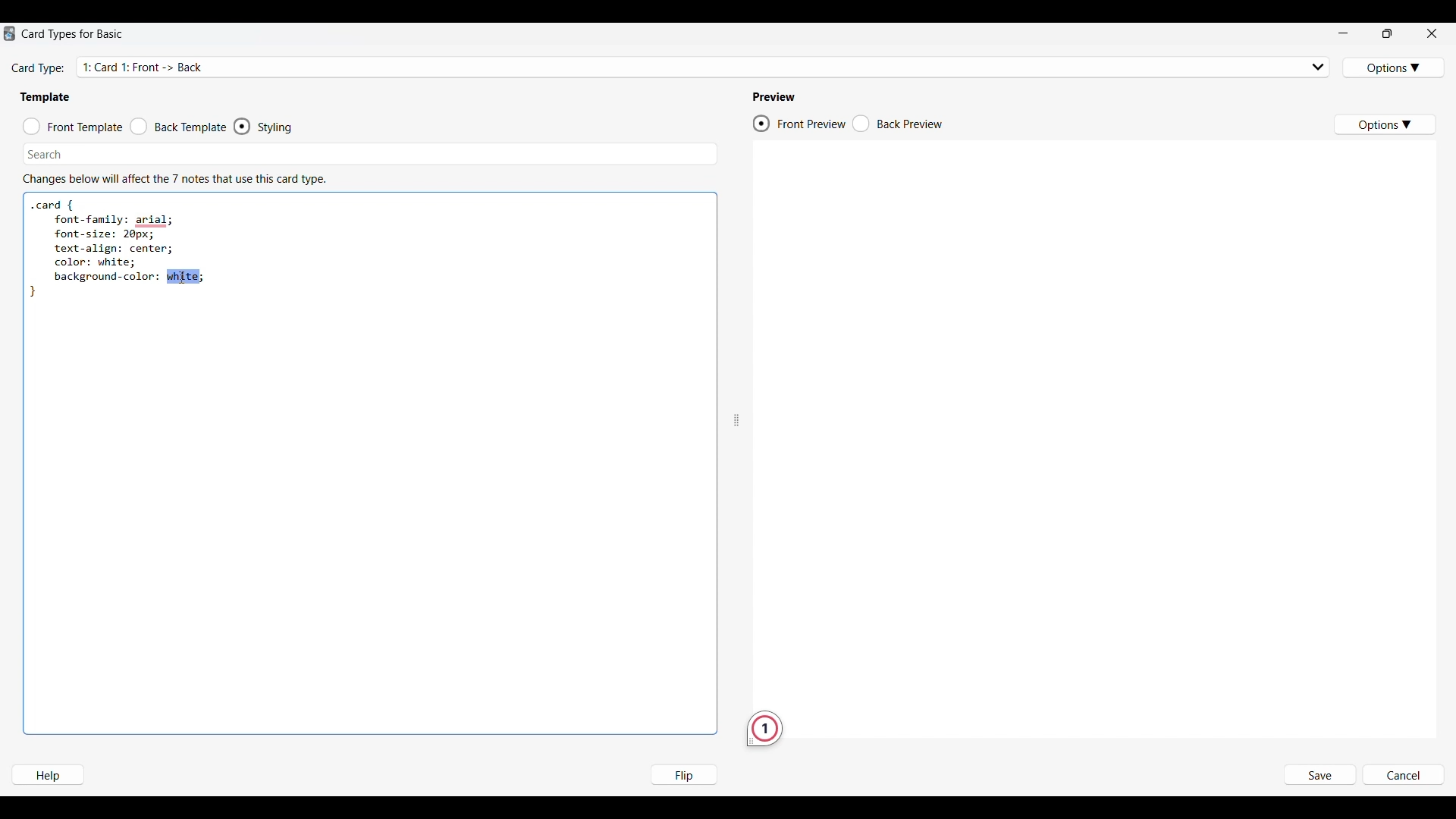 This screenshot has height=819, width=1456. I want to click on Software logo, so click(9, 33).